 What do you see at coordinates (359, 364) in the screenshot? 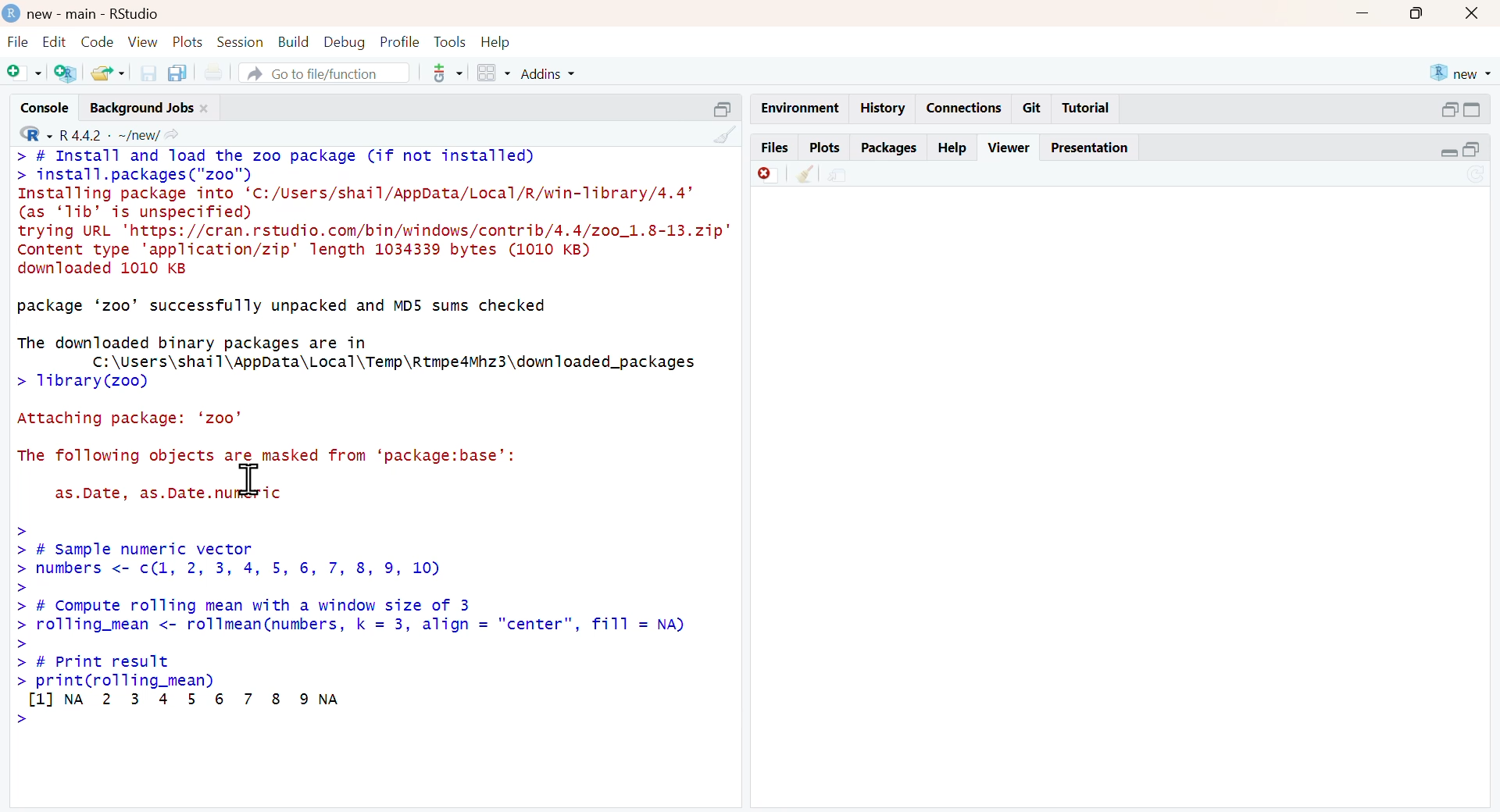
I see `The downloaded binary packages are in
C:\Users\shail\AppData\Local\Temp\Rtmpe4Mhz3\downTloaded_packages
> 1ibrary(zoo)` at bounding box center [359, 364].